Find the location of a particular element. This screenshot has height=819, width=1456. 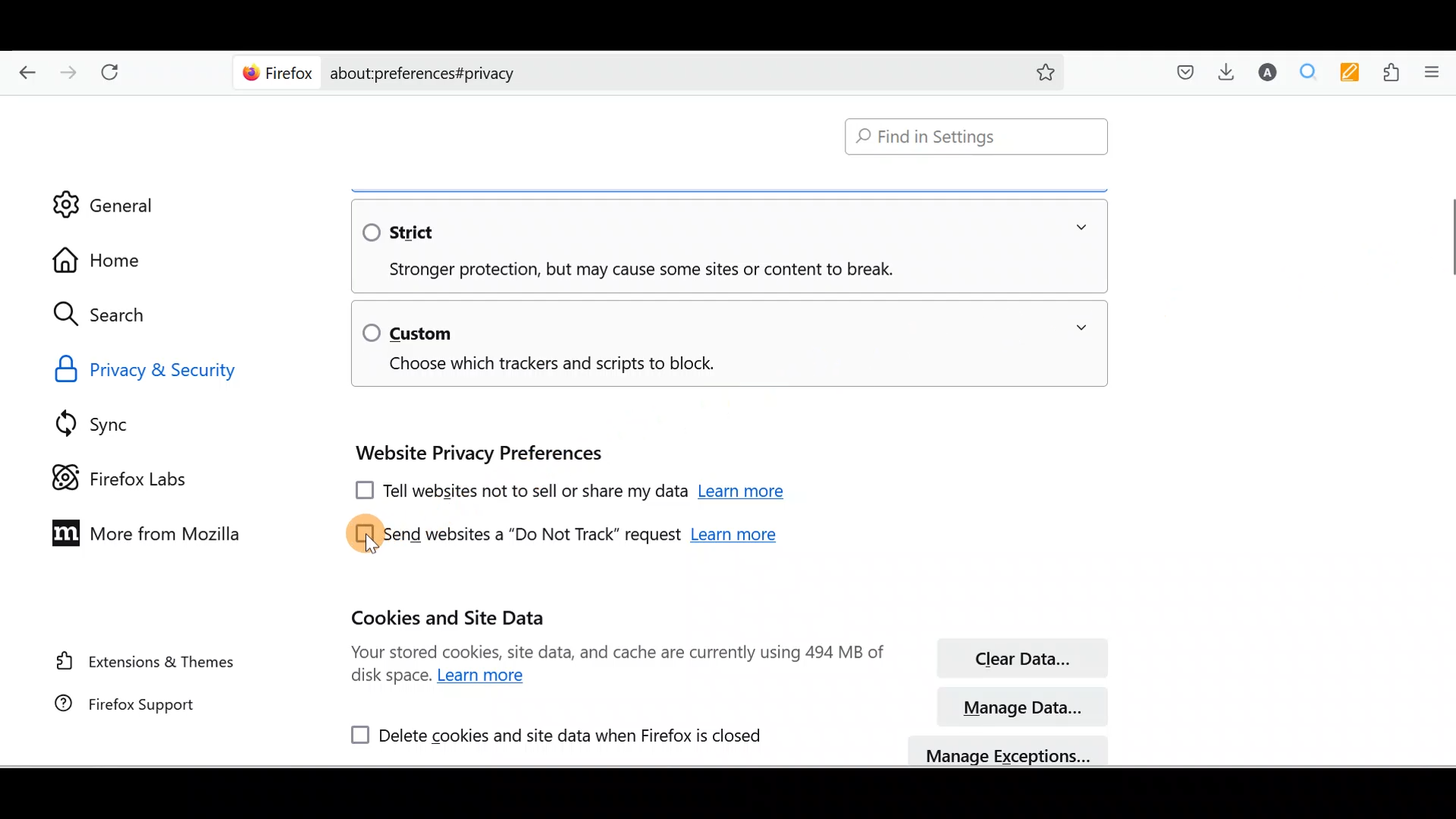

disk space. is located at coordinates (391, 677).